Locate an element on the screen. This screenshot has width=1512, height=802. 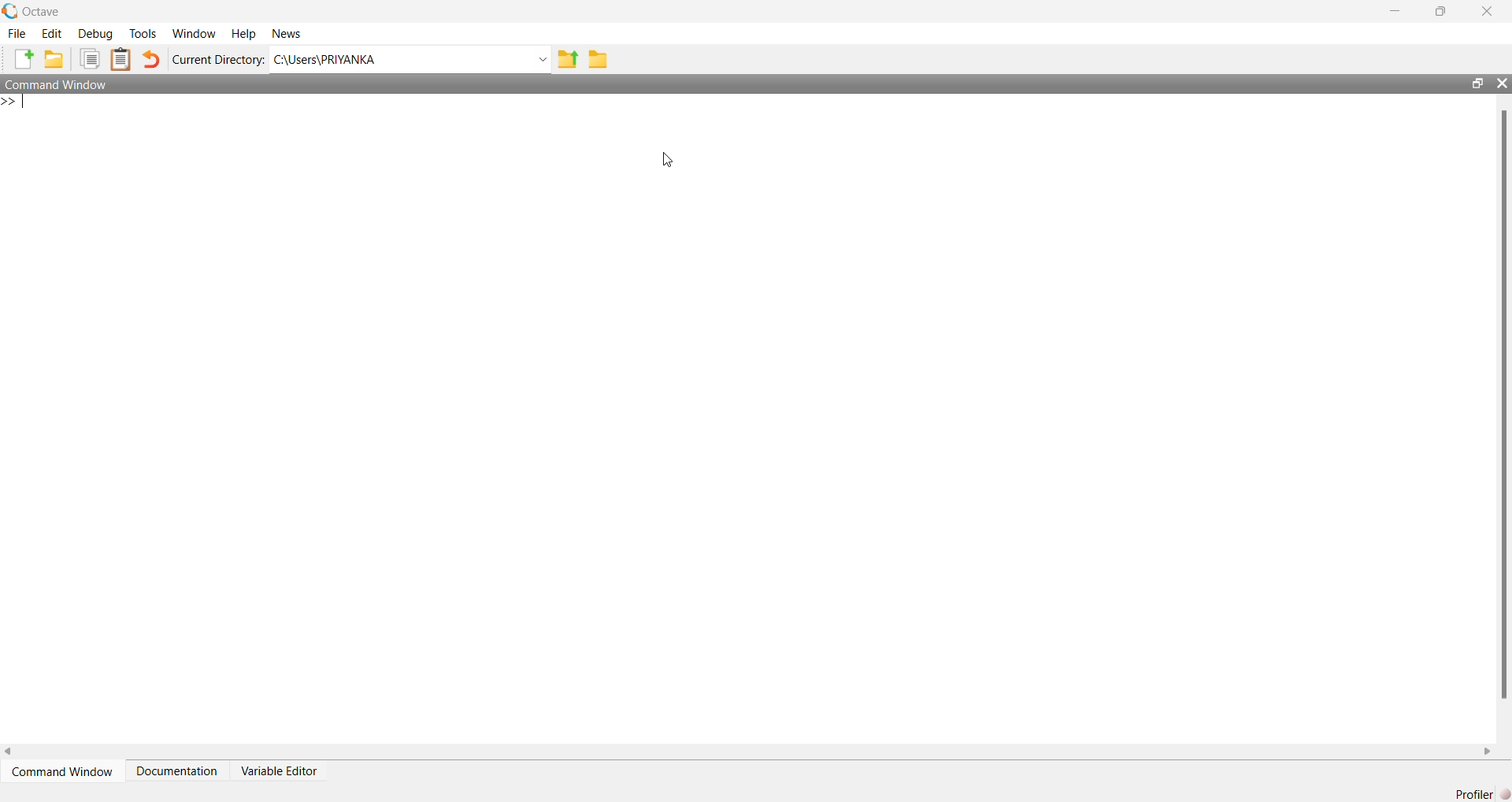
New File is located at coordinates (24, 59).